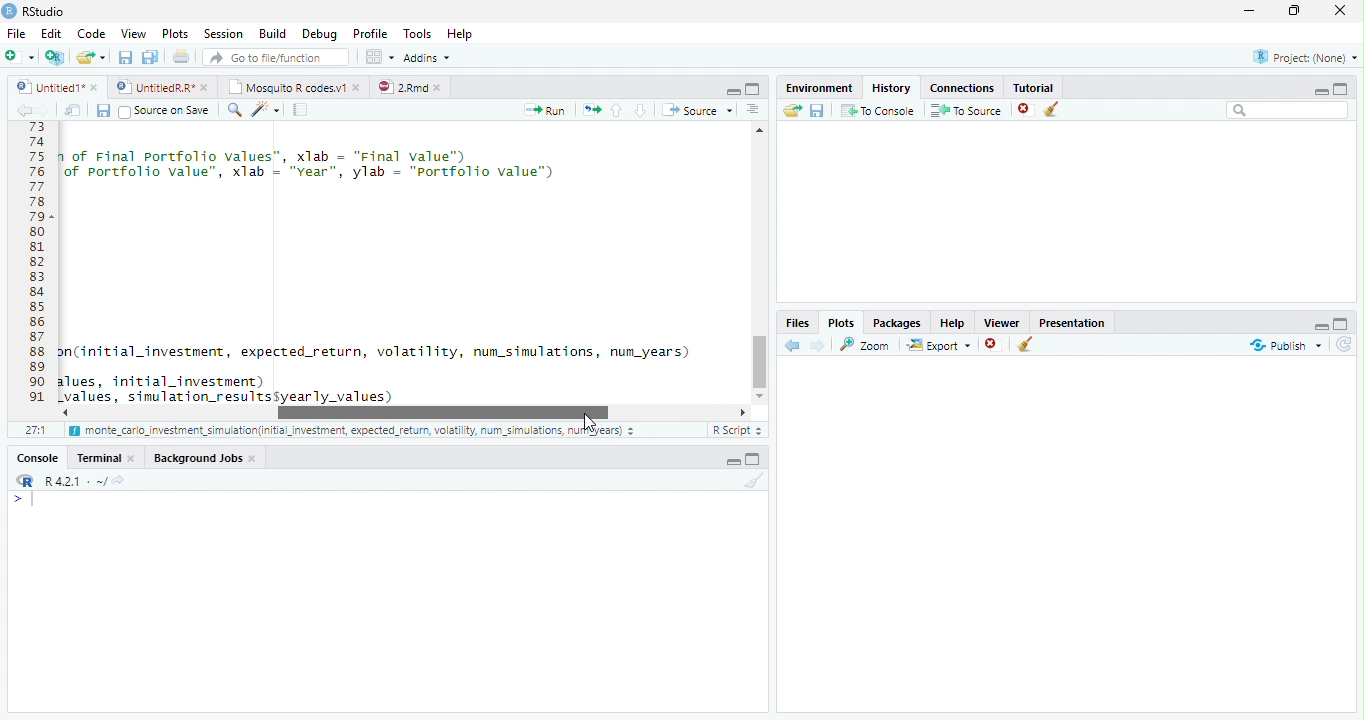  Describe the element at coordinates (181, 56) in the screenshot. I see `Print` at that location.